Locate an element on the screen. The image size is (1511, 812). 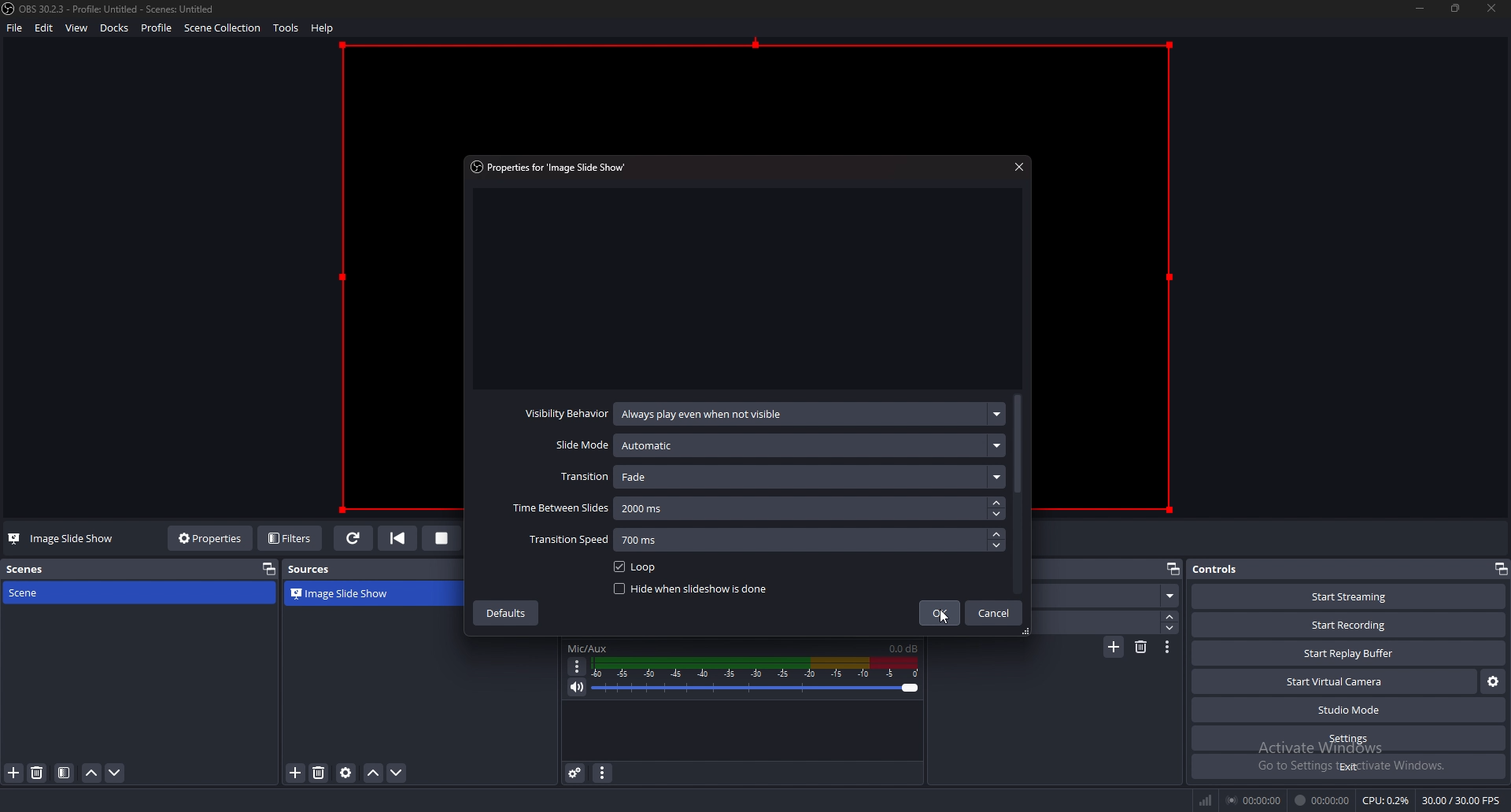
info is located at coordinates (422, 670).